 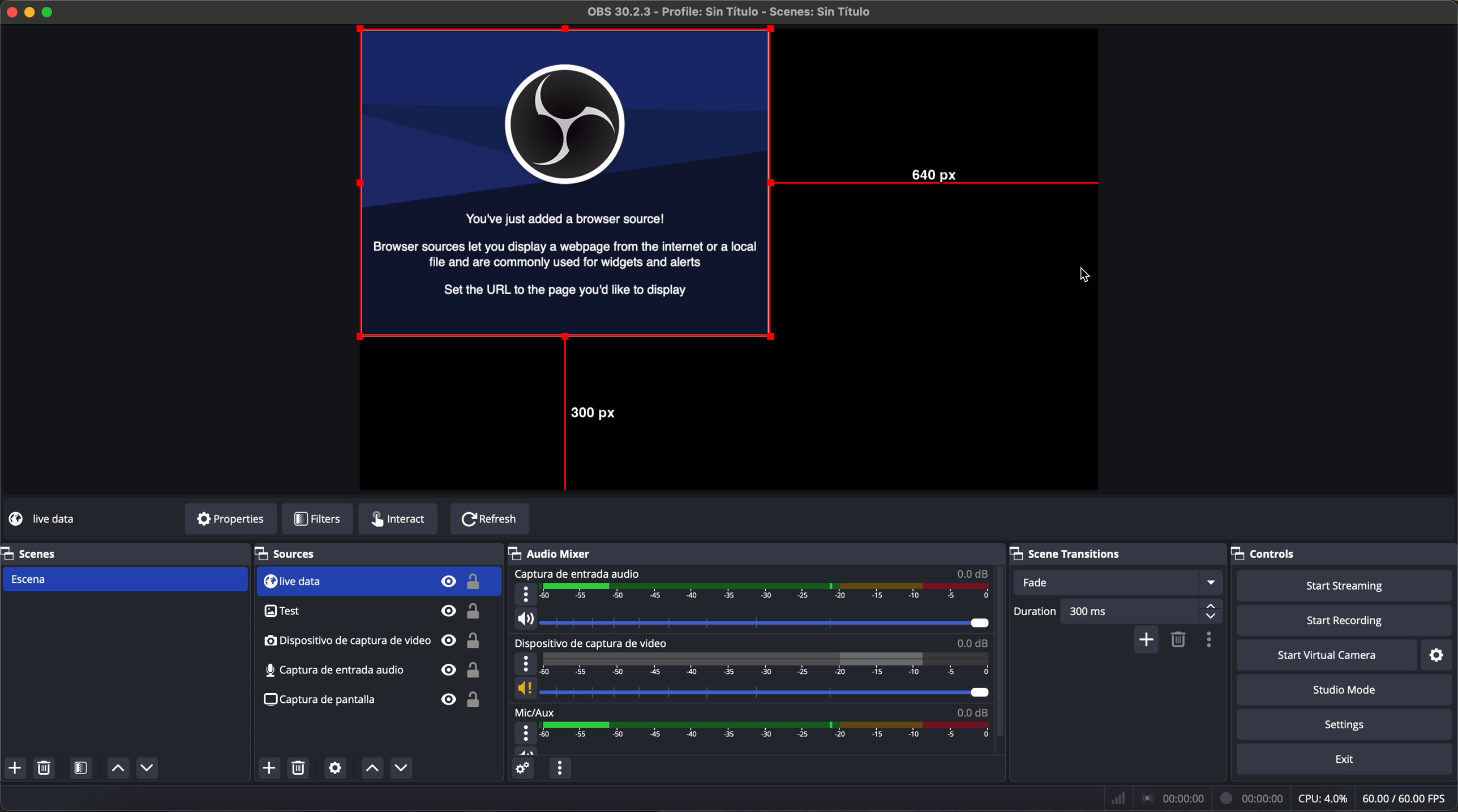 What do you see at coordinates (524, 595) in the screenshot?
I see `more options` at bounding box center [524, 595].